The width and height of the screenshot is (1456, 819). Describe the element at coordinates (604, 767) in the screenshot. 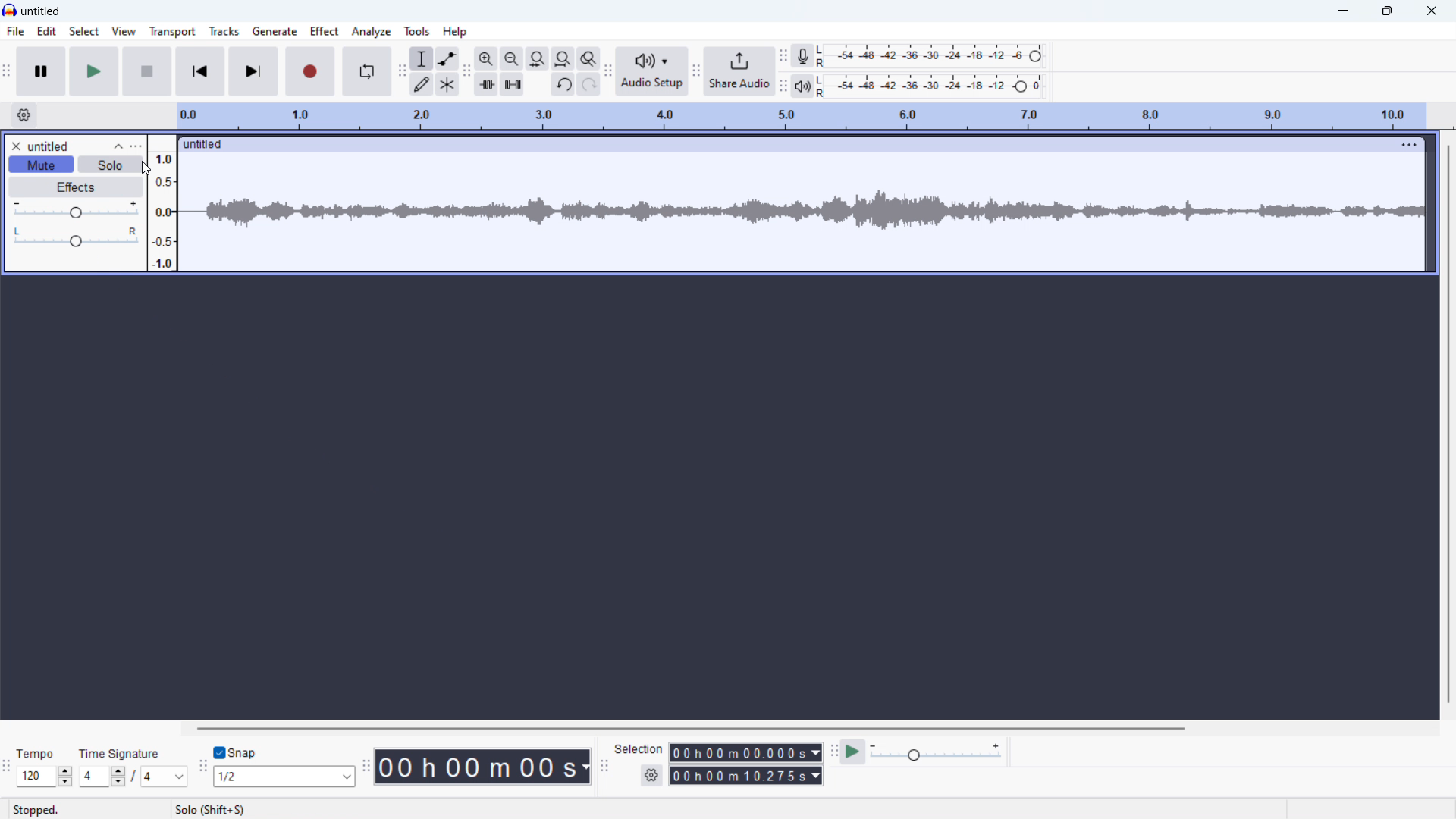

I see `selection toolbar` at that location.